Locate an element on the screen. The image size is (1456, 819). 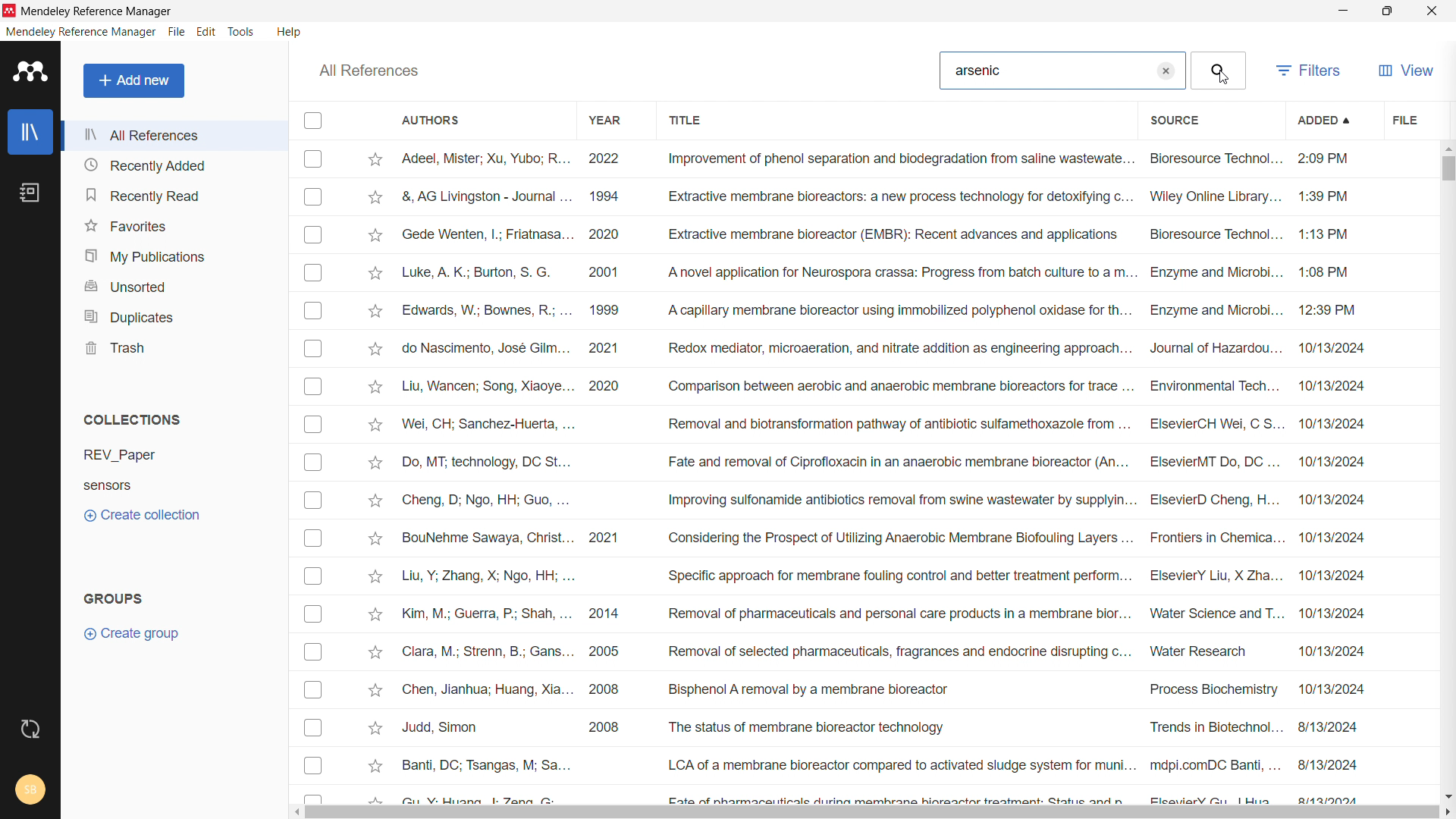
source is located at coordinates (1210, 120).